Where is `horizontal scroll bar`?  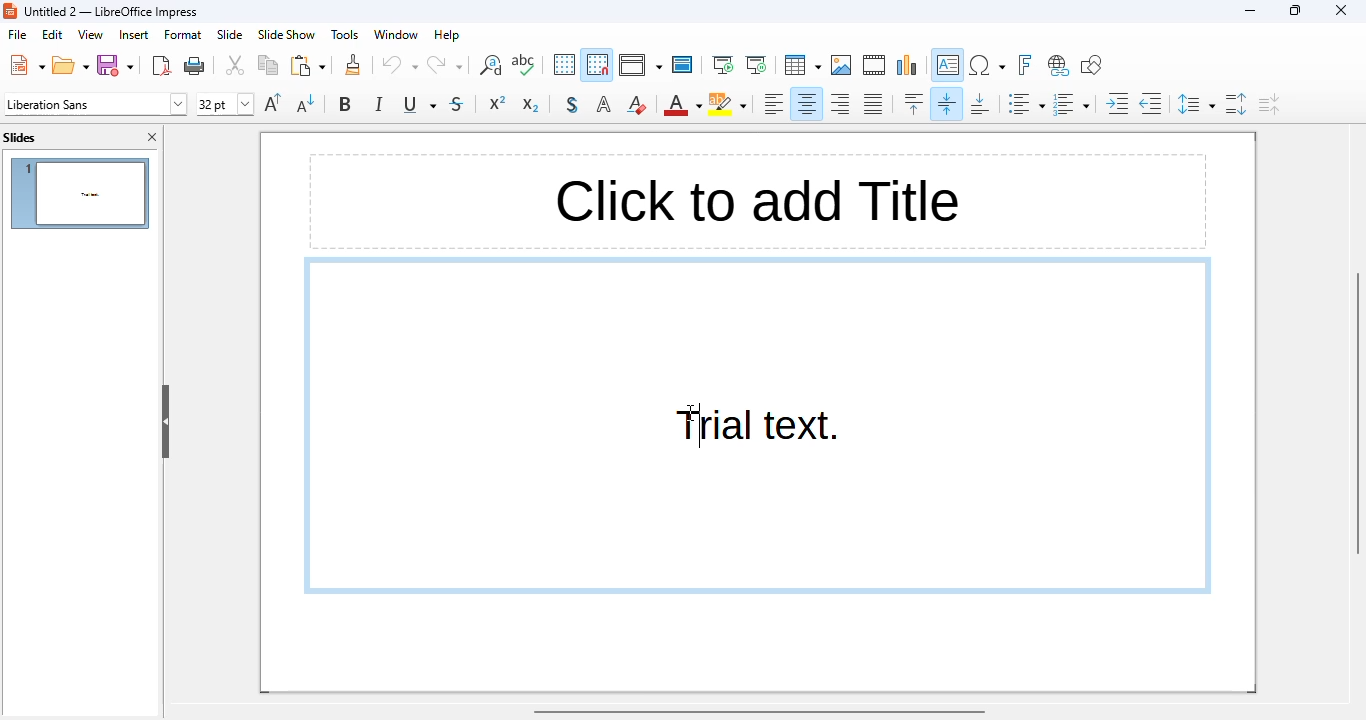 horizontal scroll bar is located at coordinates (760, 712).